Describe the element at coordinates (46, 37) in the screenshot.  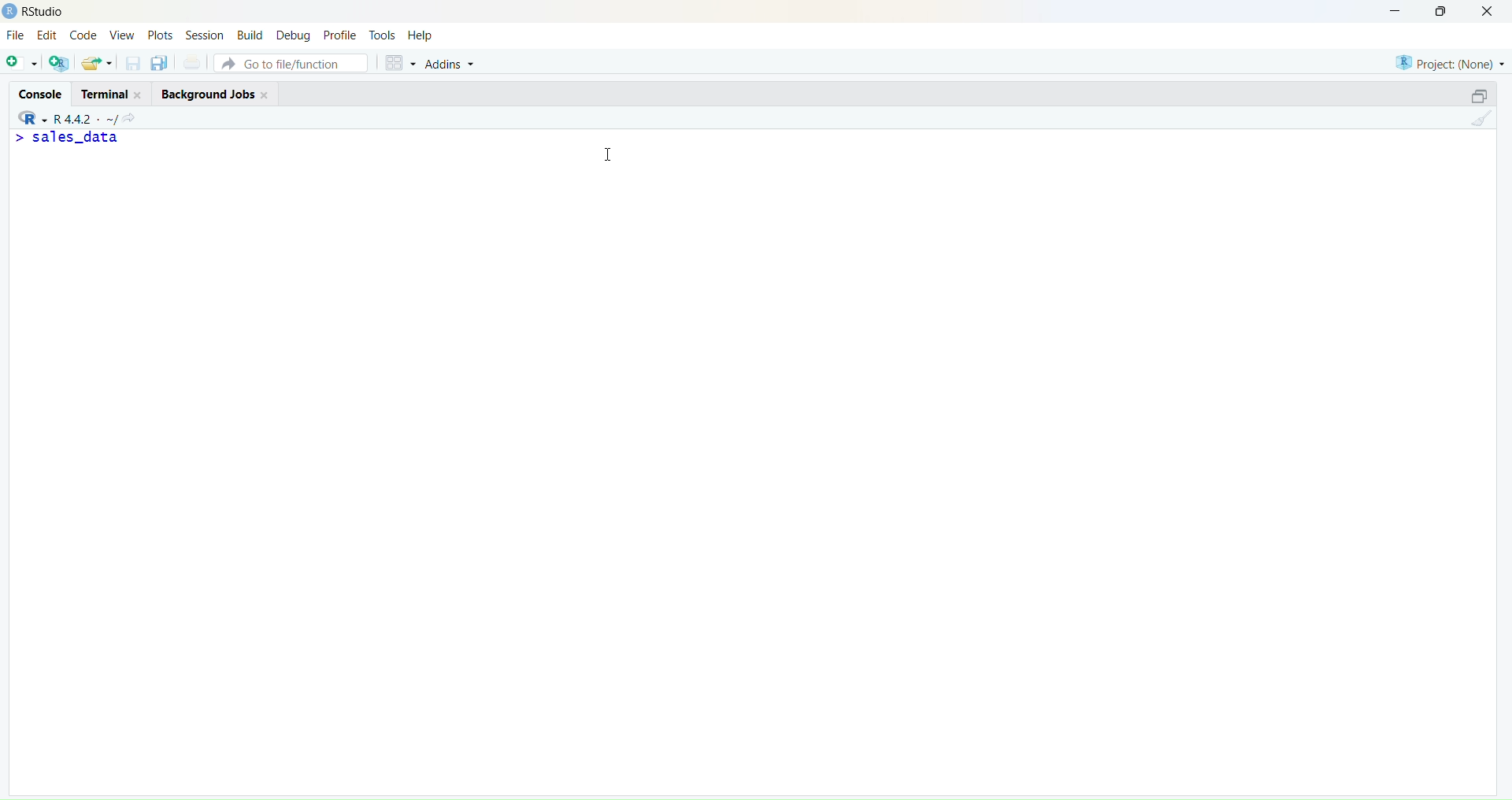
I see `Edit` at that location.